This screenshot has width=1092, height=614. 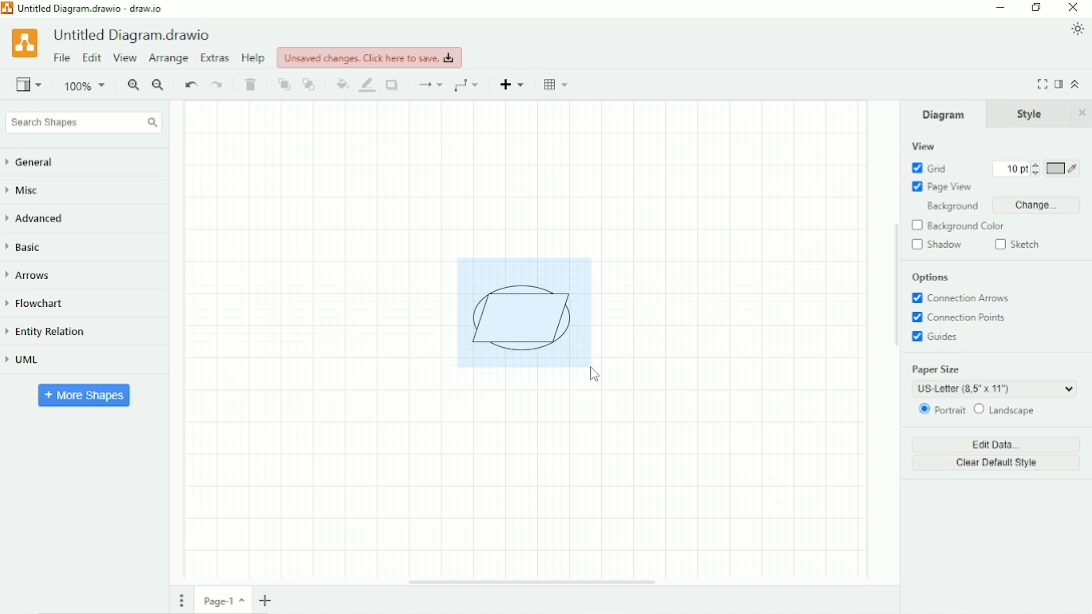 What do you see at coordinates (931, 278) in the screenshot?
I see `Options` at bounding box center [931, 278].